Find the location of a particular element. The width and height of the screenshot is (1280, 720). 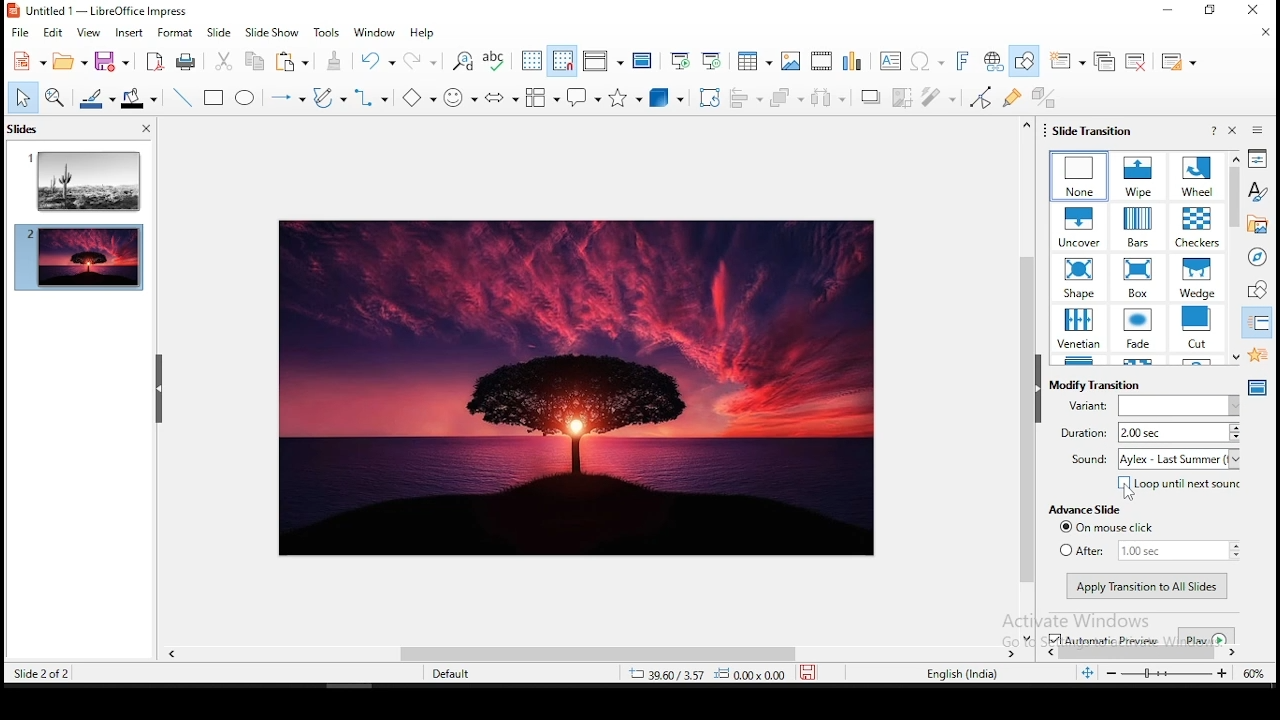

0.00x0.00 is located at coordinates (752, 676).